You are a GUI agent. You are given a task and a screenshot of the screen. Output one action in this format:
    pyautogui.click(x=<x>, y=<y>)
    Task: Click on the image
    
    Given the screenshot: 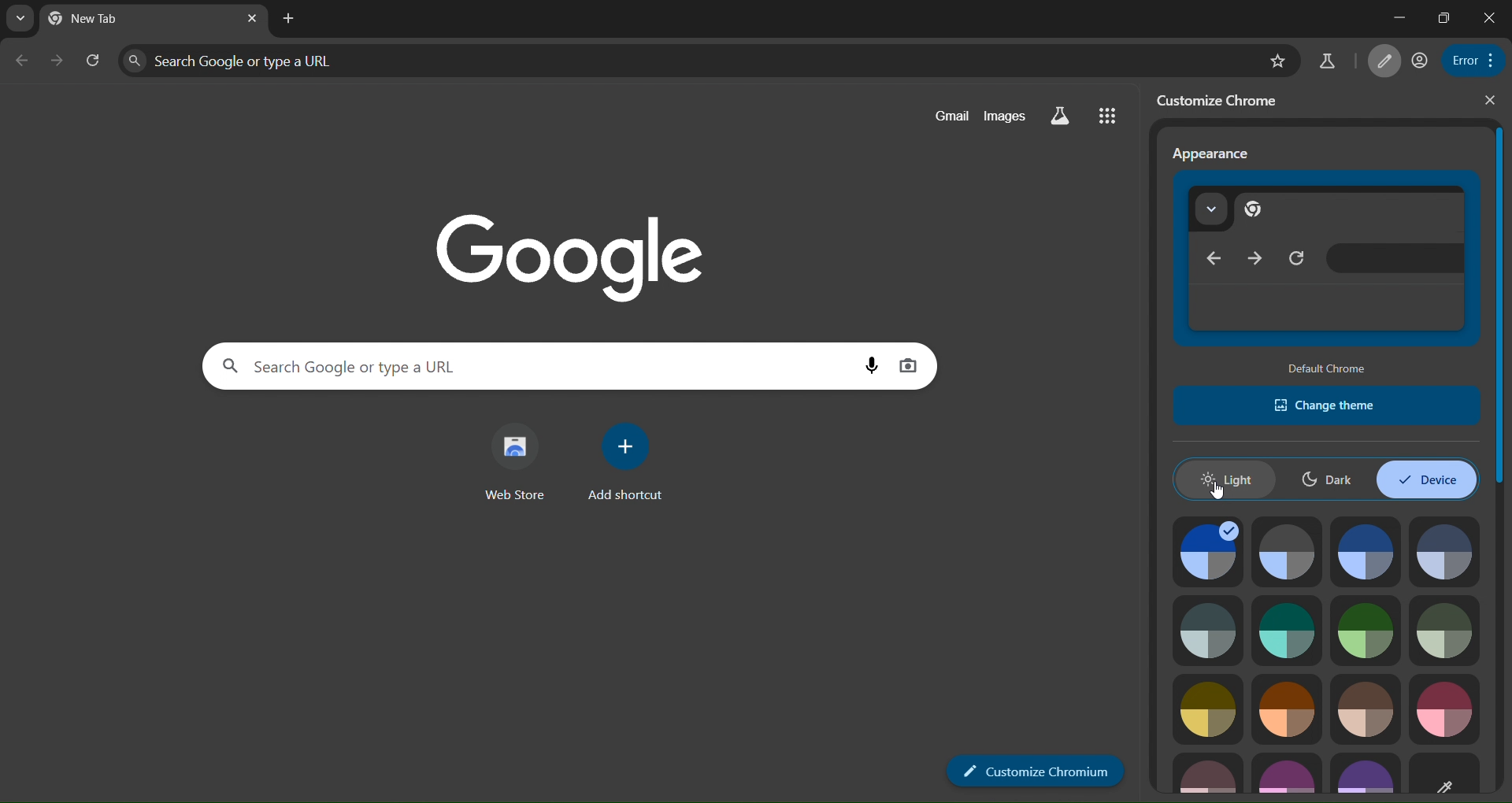 What is the action you would take?
    pyautogui.click(x=1206, y=708)
    